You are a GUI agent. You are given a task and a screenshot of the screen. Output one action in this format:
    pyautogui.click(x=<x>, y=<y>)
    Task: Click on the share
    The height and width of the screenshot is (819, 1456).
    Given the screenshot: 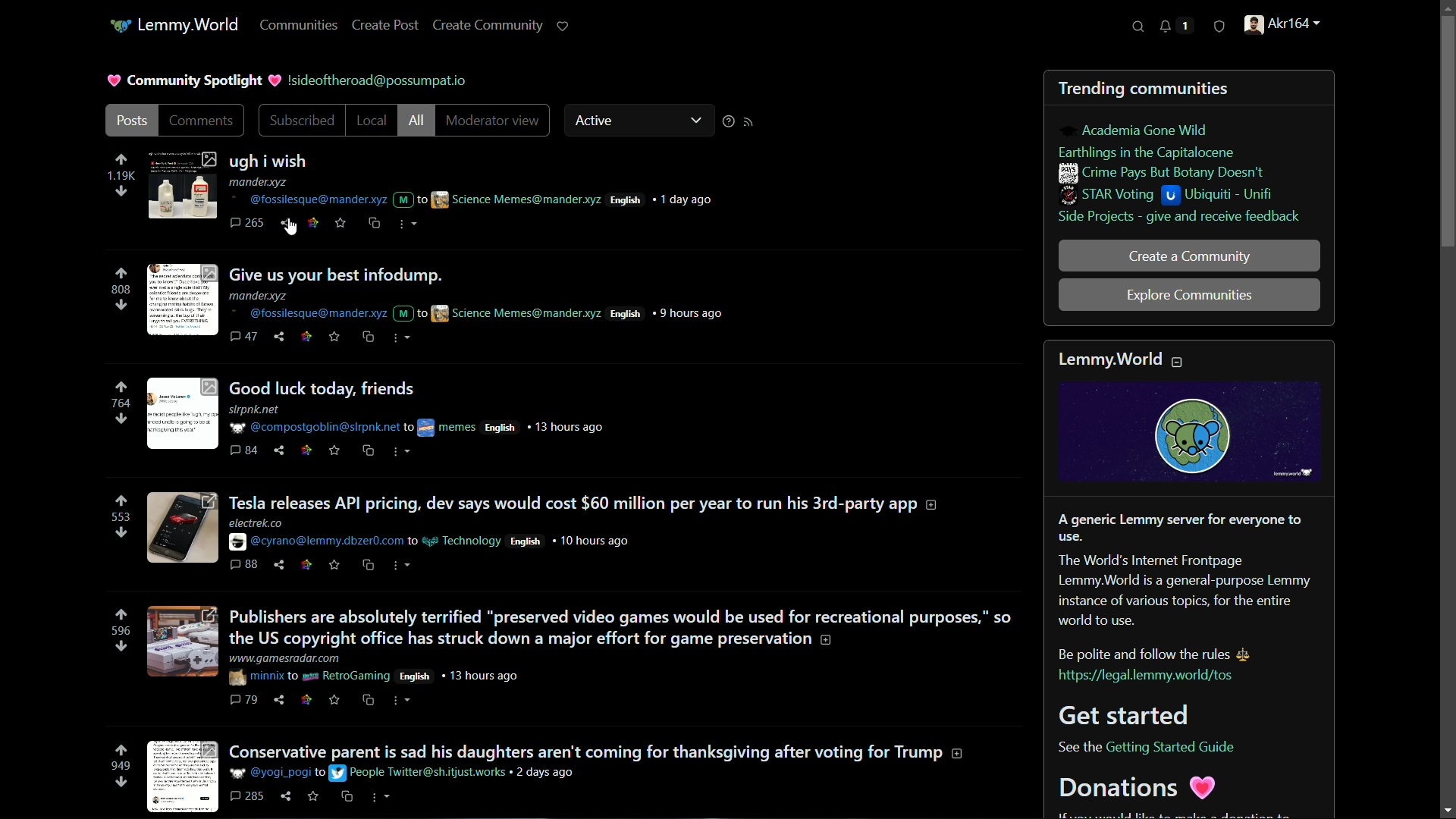 What is the action you would take?
    pyautogui.click(x=277, y=450)
    